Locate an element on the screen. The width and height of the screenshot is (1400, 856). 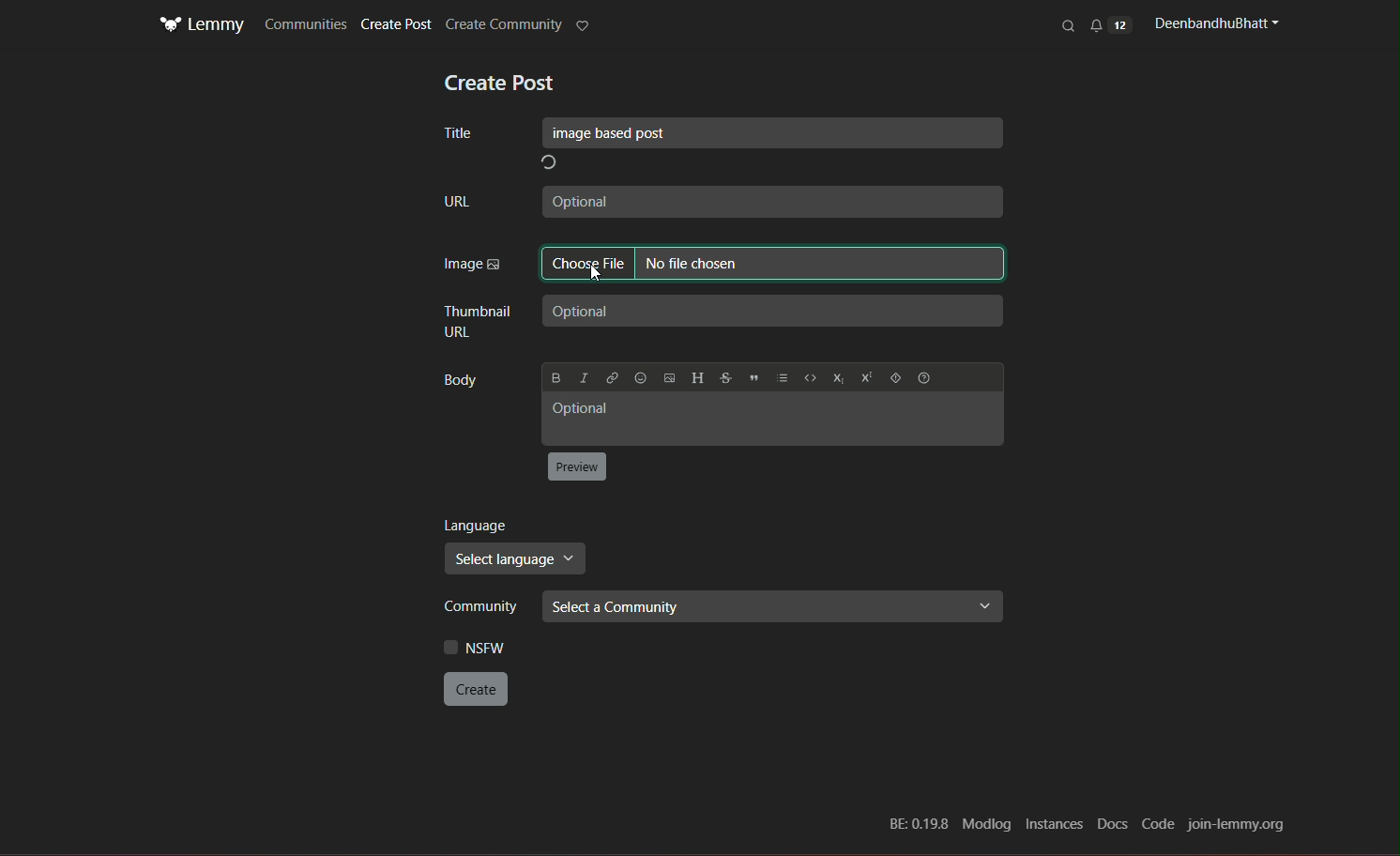
search is located at coordinates (1070, 25).